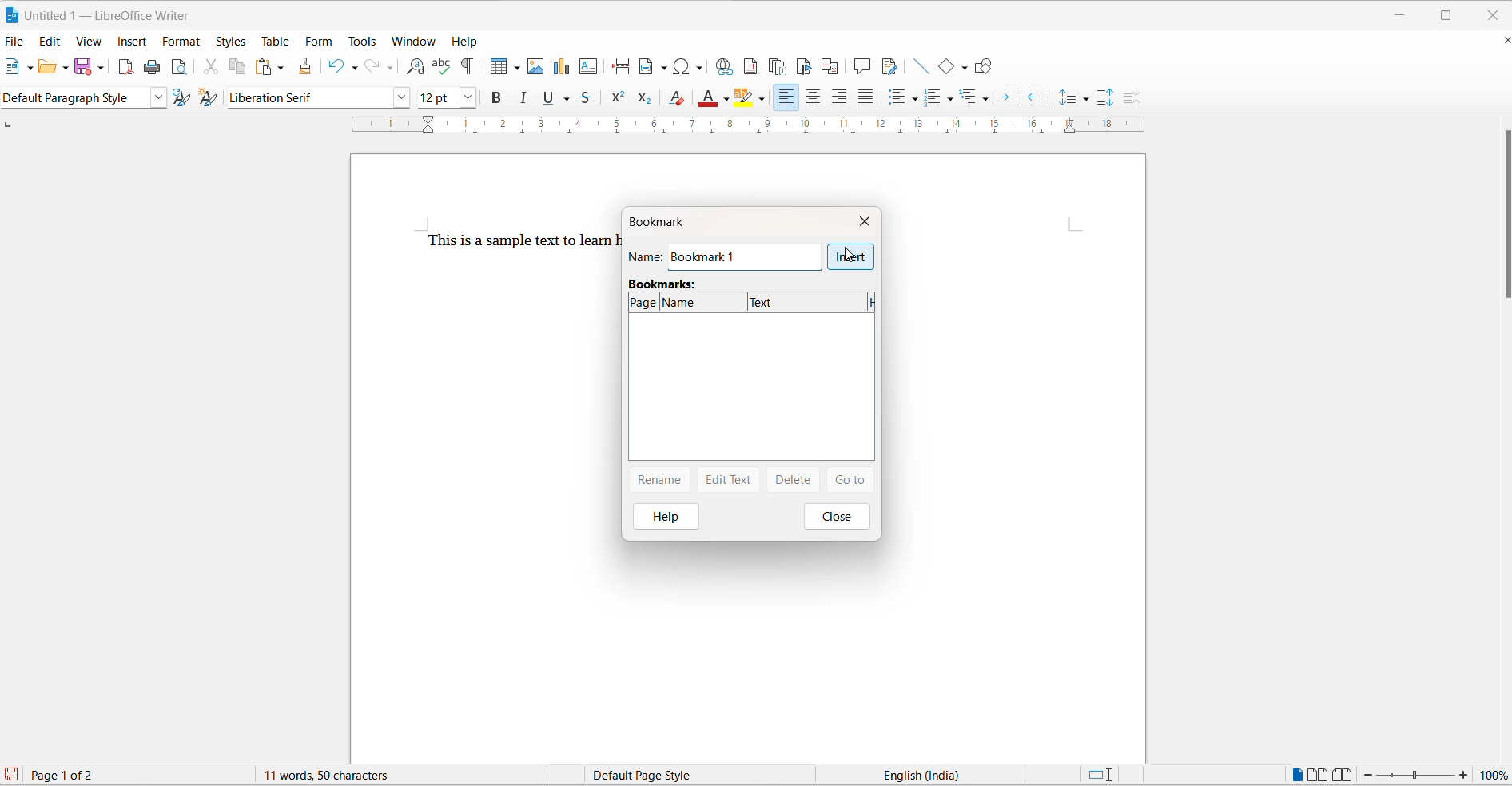 Image resolution: width=1512 pixels, height=786 pixels. What do you see at coordinates (1367, 775) in the screenshot?
I see `decrease zoom` at bounding box center [1367, 775].